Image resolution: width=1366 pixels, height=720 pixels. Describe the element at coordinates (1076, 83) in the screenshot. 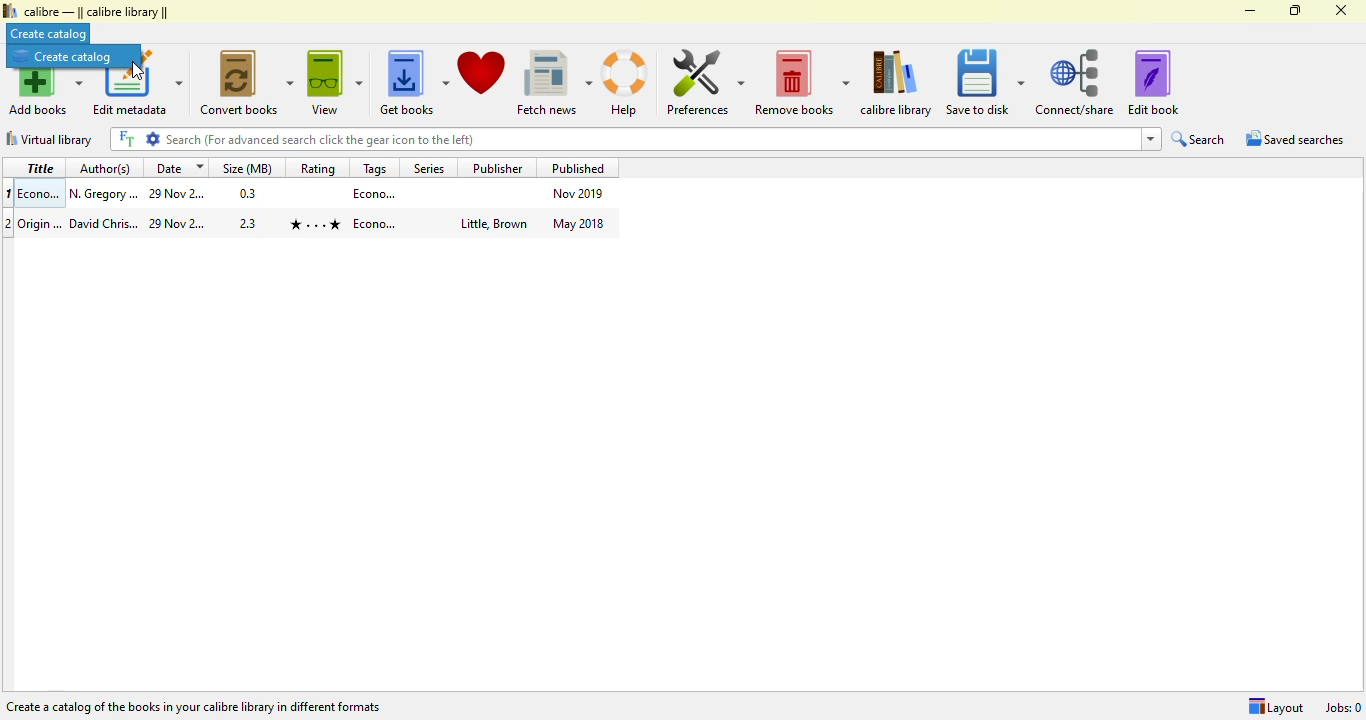

I see `connect/share` at that location.